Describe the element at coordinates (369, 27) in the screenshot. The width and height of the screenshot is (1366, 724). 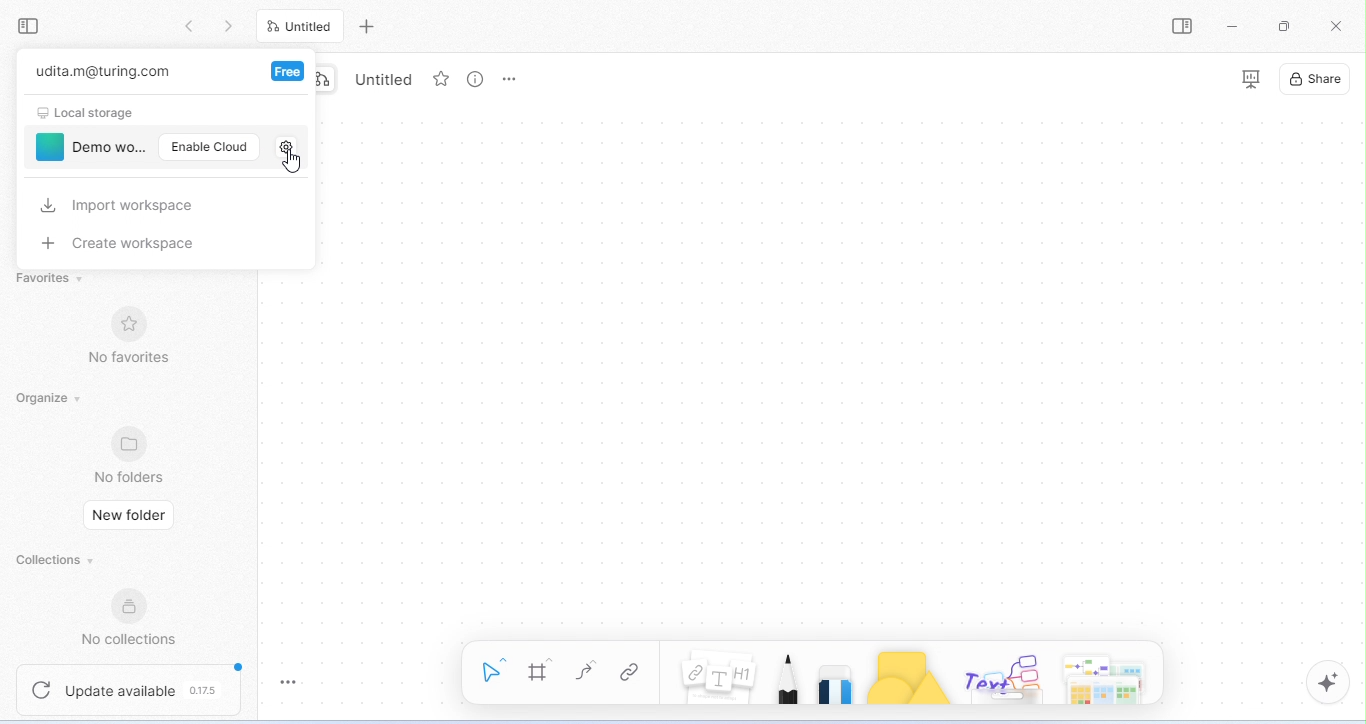
I see `add new tab` at that location.